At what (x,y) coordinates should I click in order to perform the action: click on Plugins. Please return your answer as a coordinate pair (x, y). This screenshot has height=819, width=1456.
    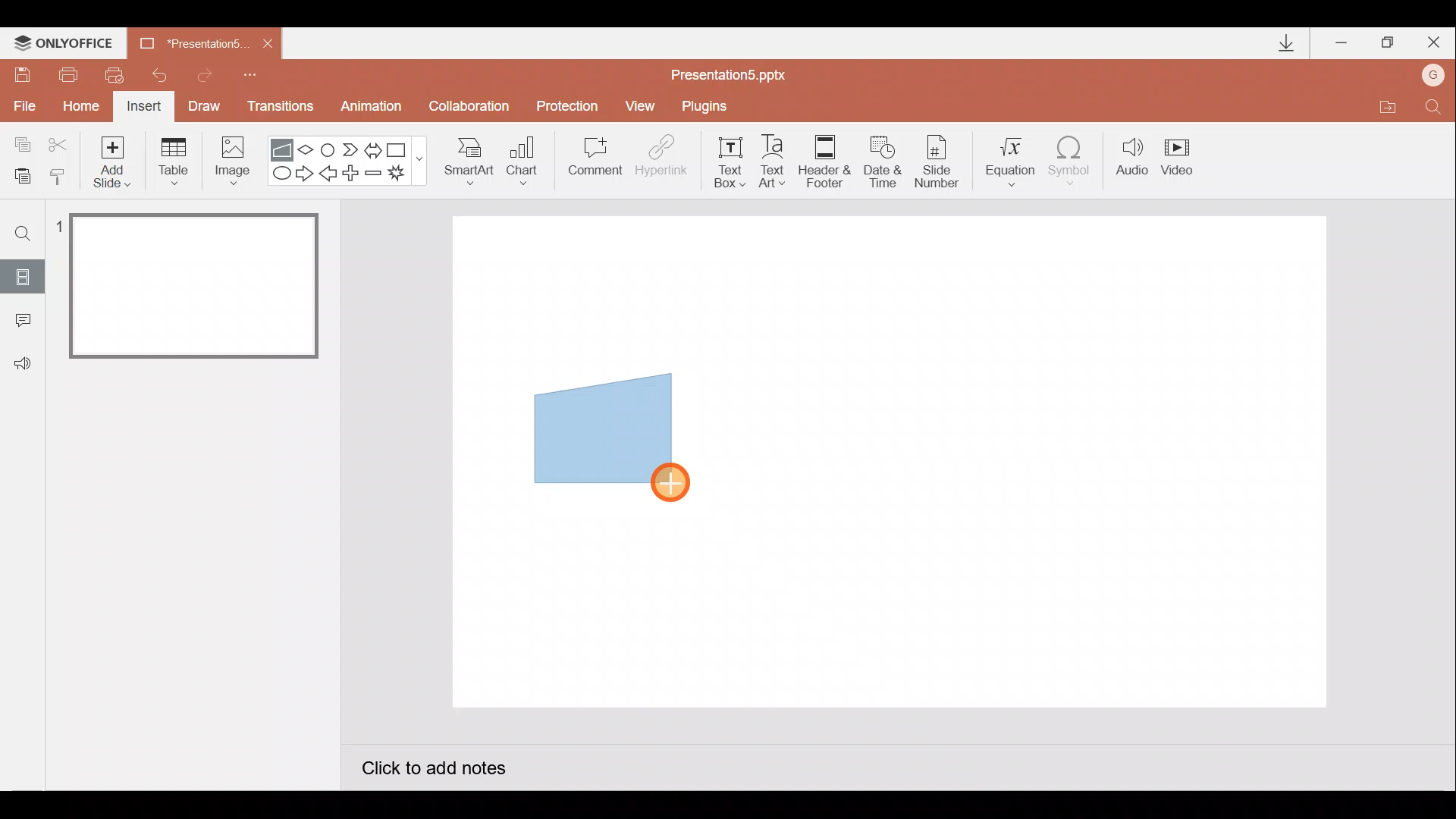
    Looking at the image, I should click on (708, 106).